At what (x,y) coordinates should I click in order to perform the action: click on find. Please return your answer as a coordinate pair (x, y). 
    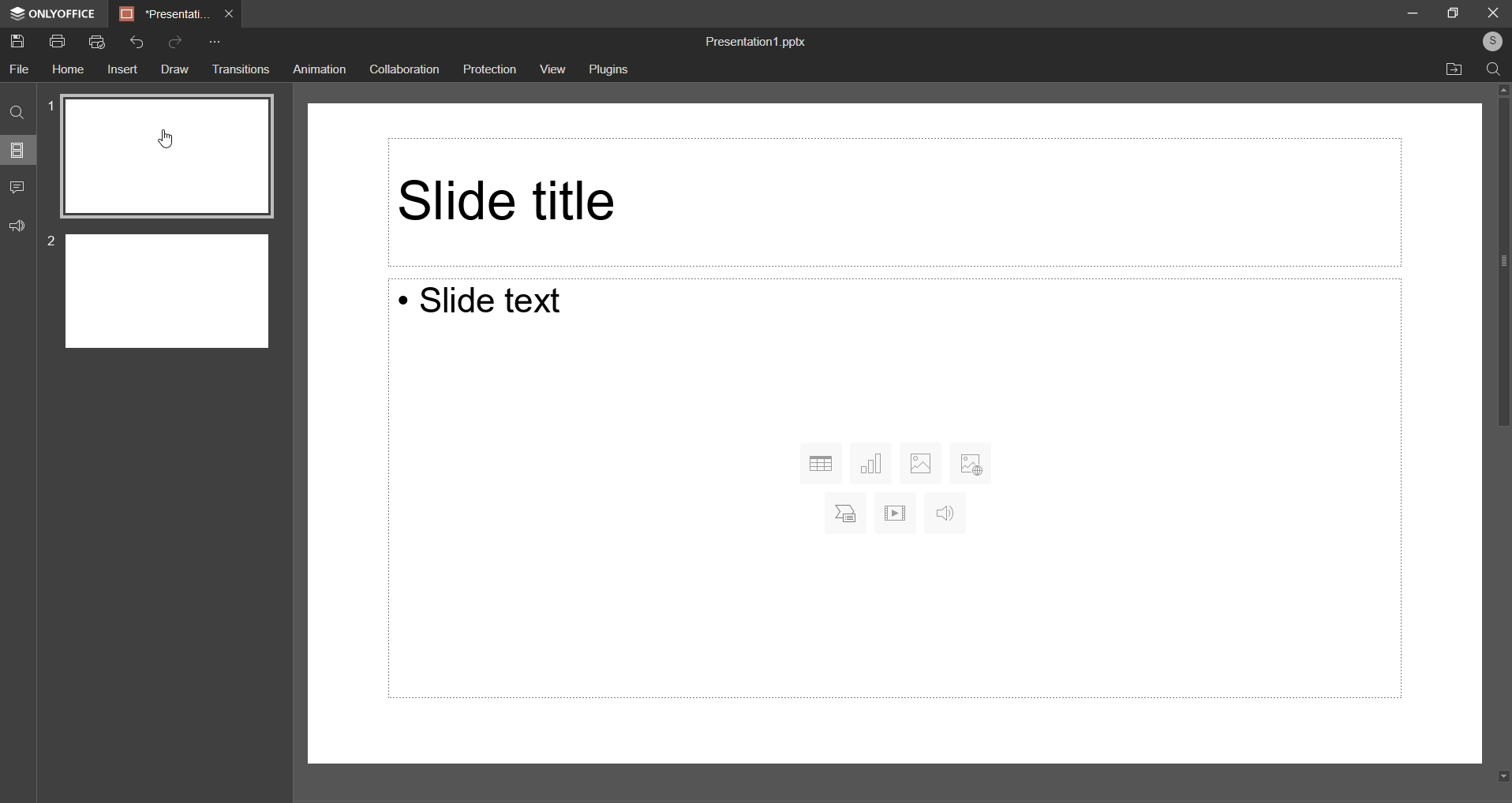
    Looking at the image, I should click on (1493, 67).